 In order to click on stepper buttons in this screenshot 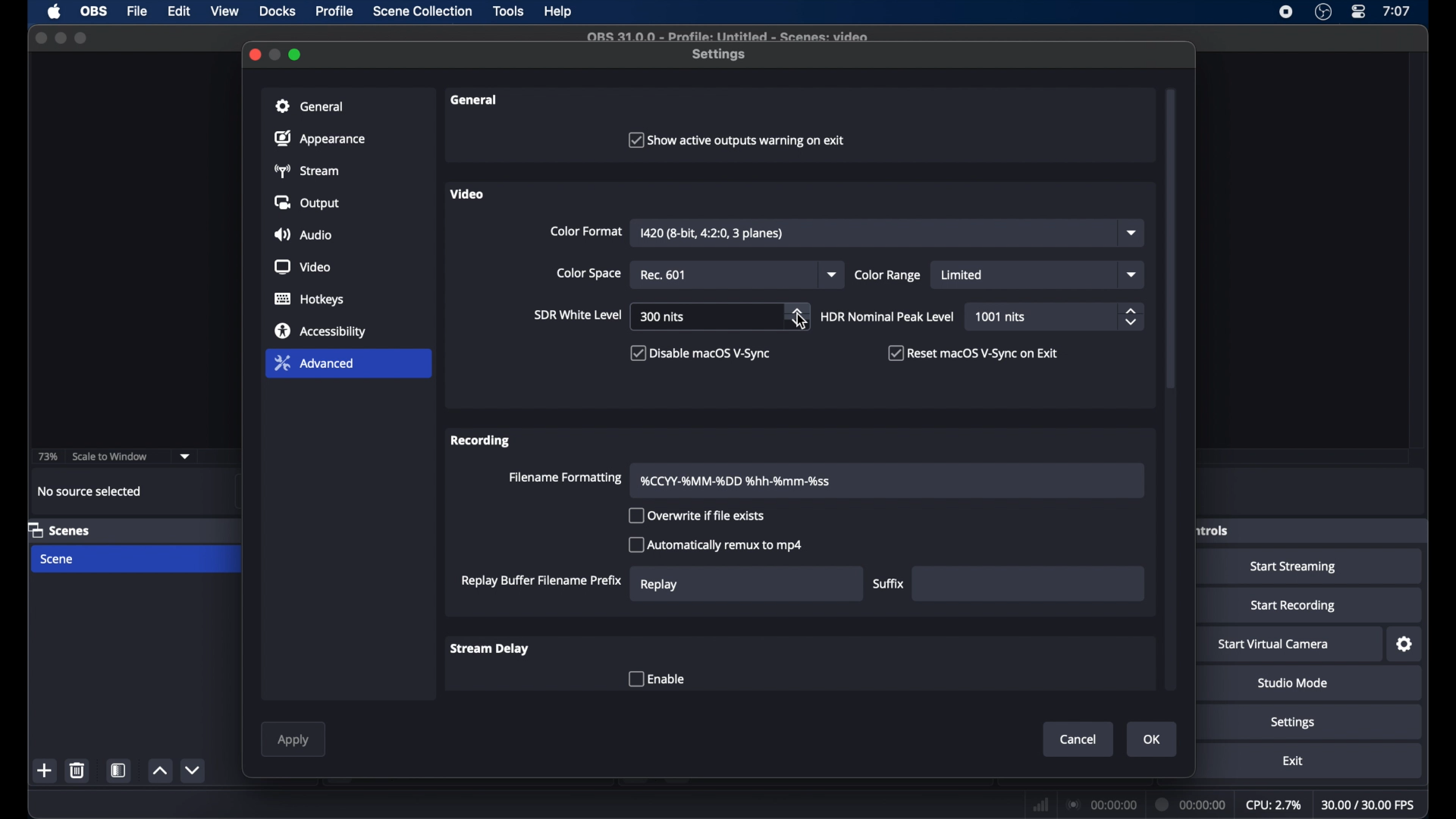, I will do `click(1132, 317)`.